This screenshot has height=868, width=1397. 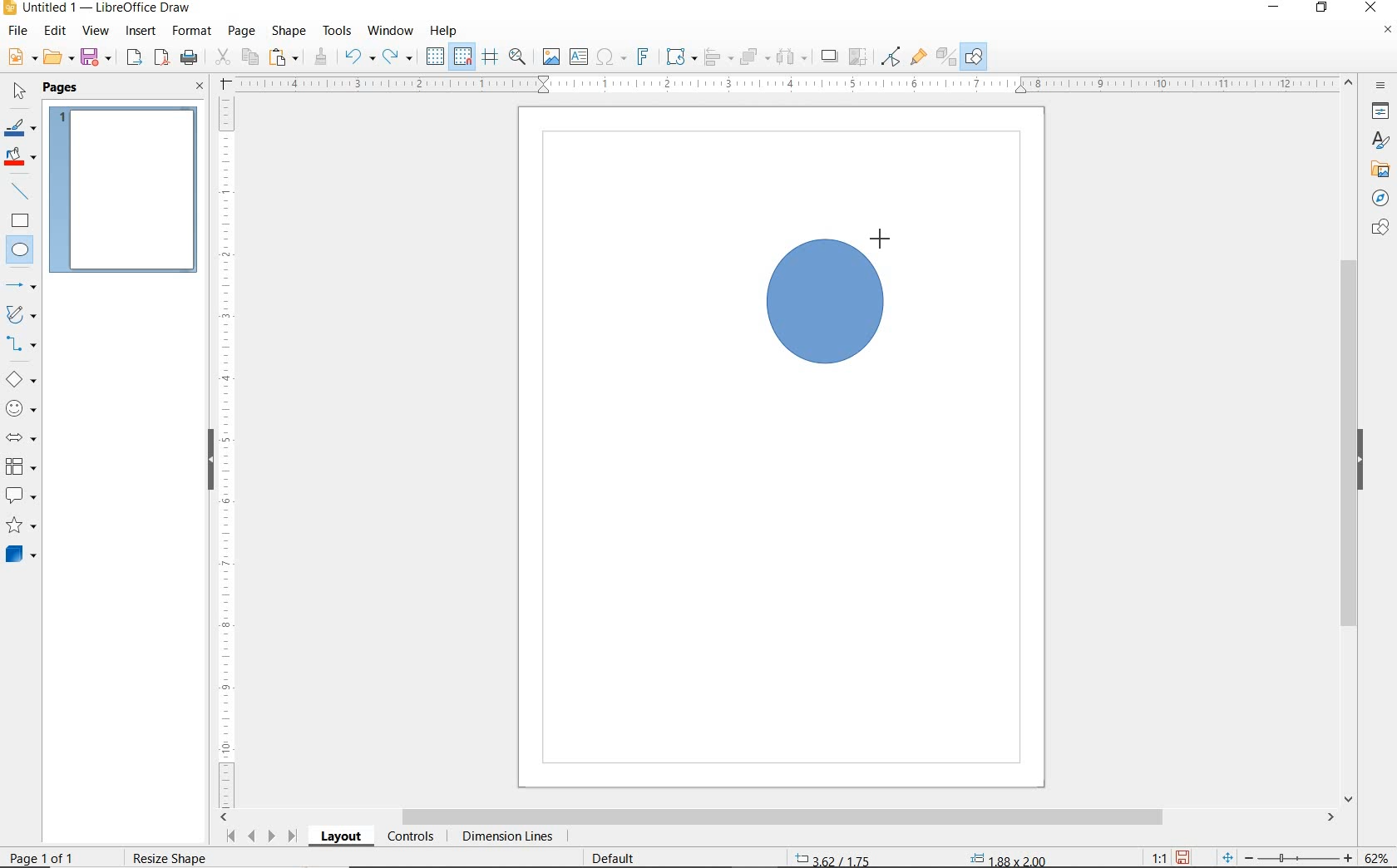 I want to click on DRAWNING CIRCLE, so click(x=828, y=303).